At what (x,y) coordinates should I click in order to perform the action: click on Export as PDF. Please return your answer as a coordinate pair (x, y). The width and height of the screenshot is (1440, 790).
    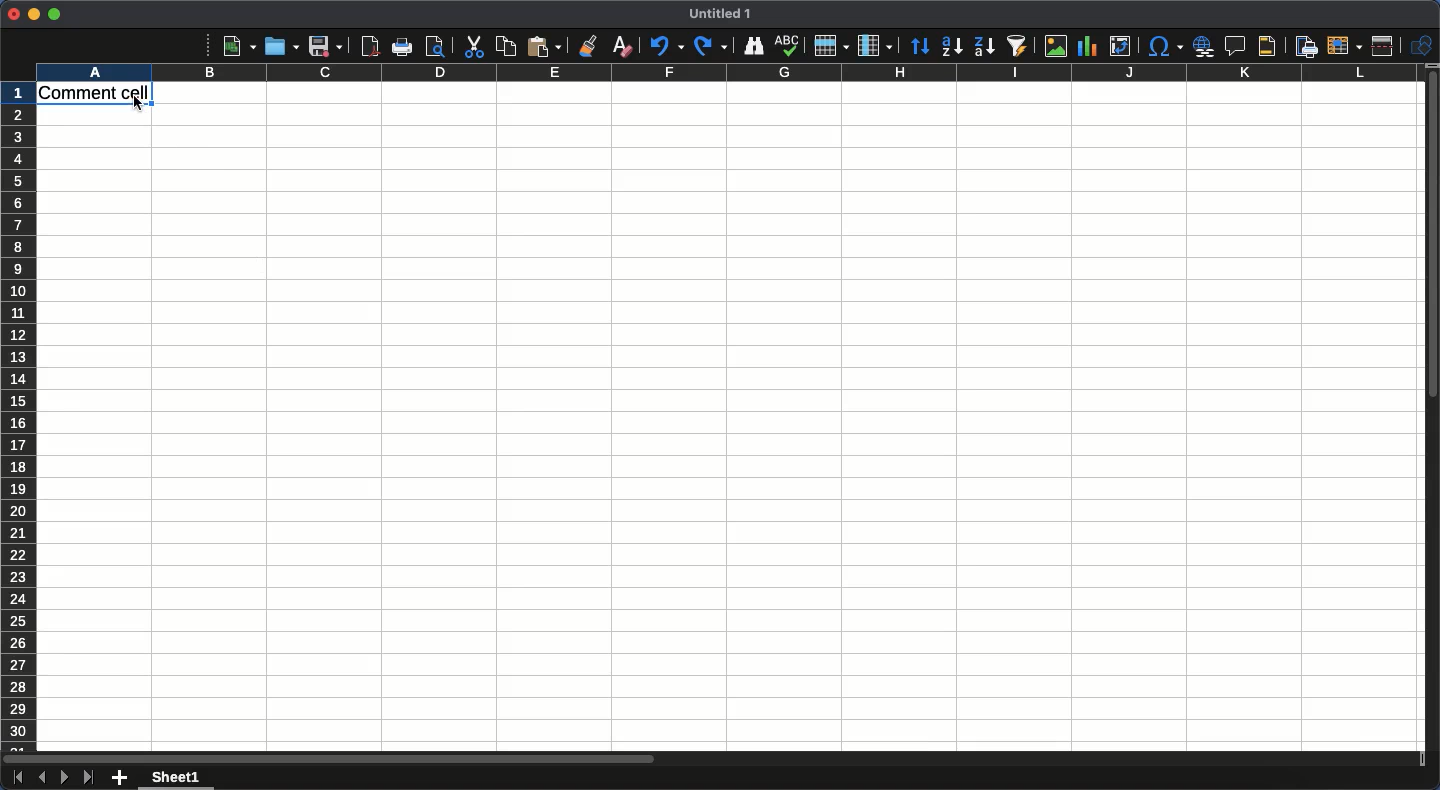
    Looking at the image, I should click on (367, 46).